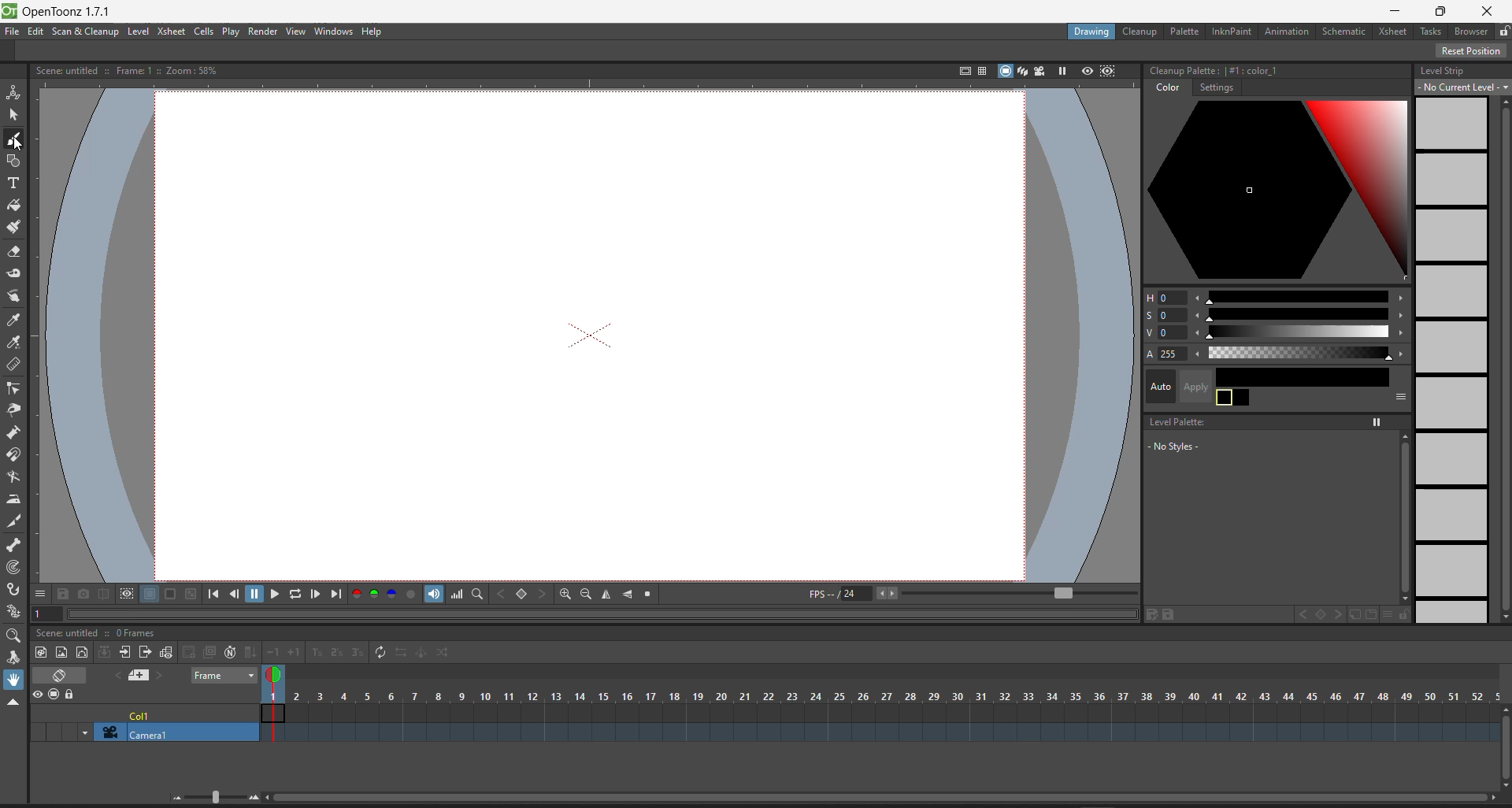  What do you see at coordinates (1468, 51) in the screenshot?
I see `reset position` at bounding box center [1468, 51].